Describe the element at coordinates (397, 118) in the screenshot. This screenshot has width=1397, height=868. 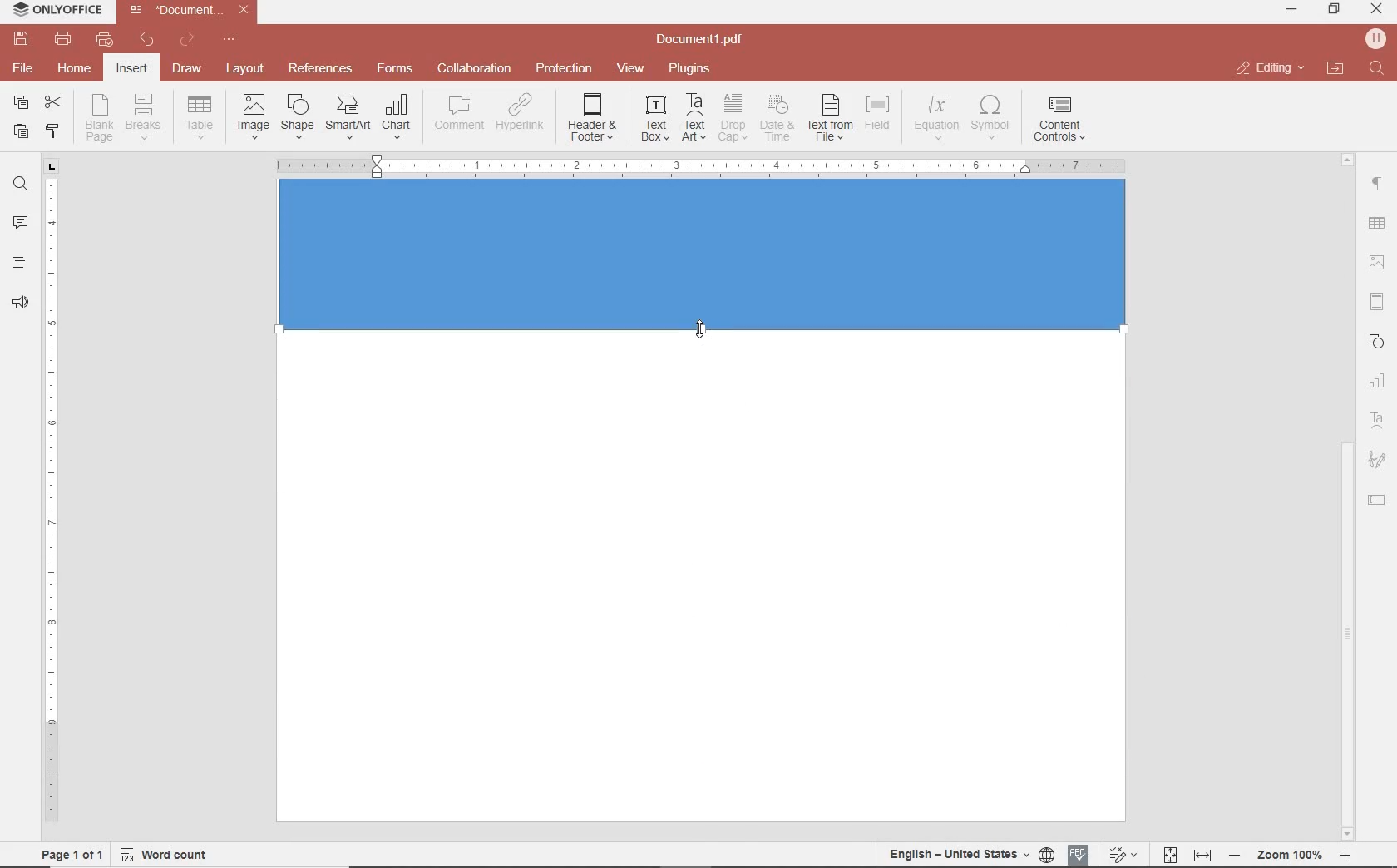
I see `INSERT CHAT` at that location.